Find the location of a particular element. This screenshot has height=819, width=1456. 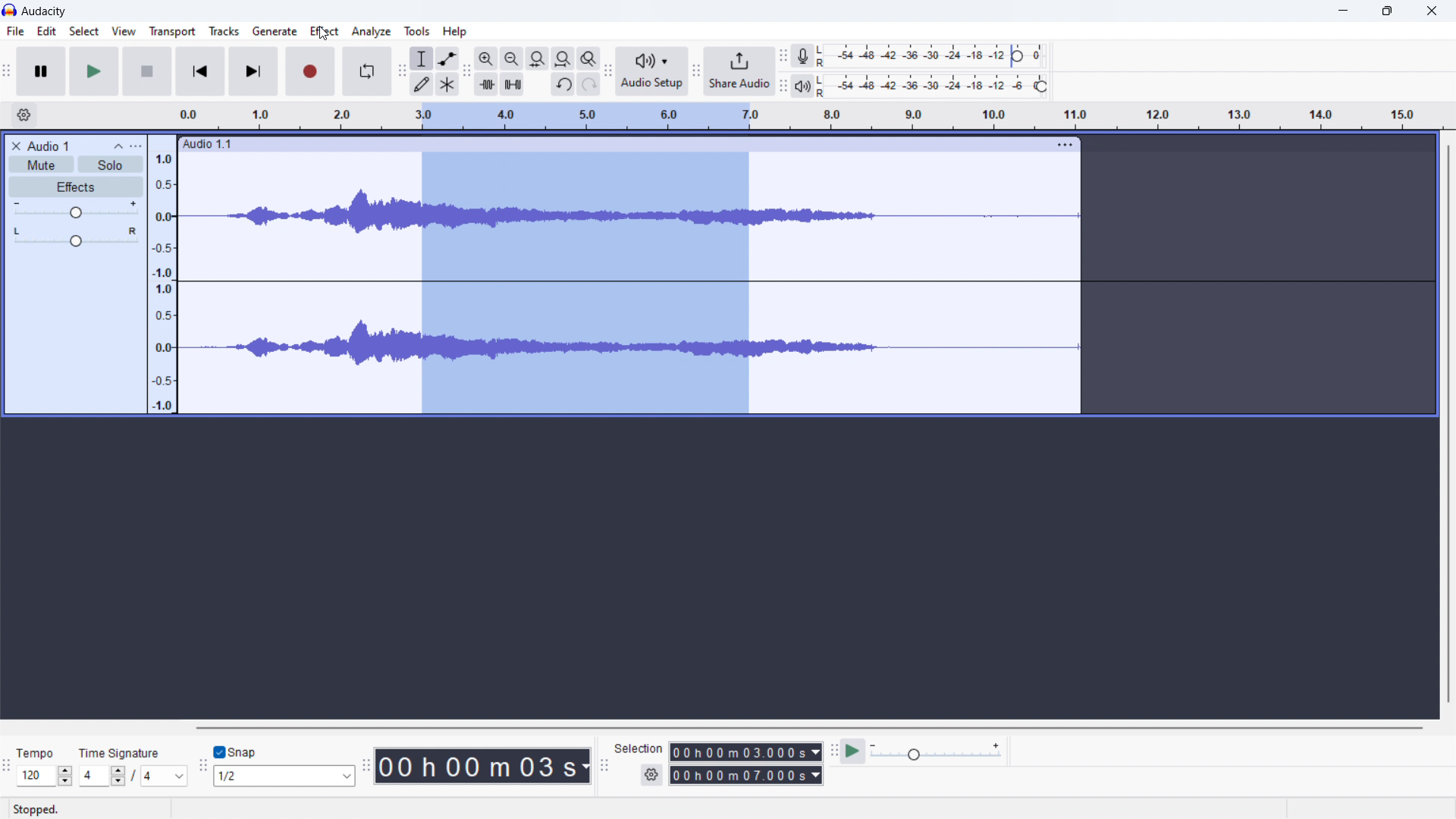

tools toolbar is located at coordinates (402, 71).